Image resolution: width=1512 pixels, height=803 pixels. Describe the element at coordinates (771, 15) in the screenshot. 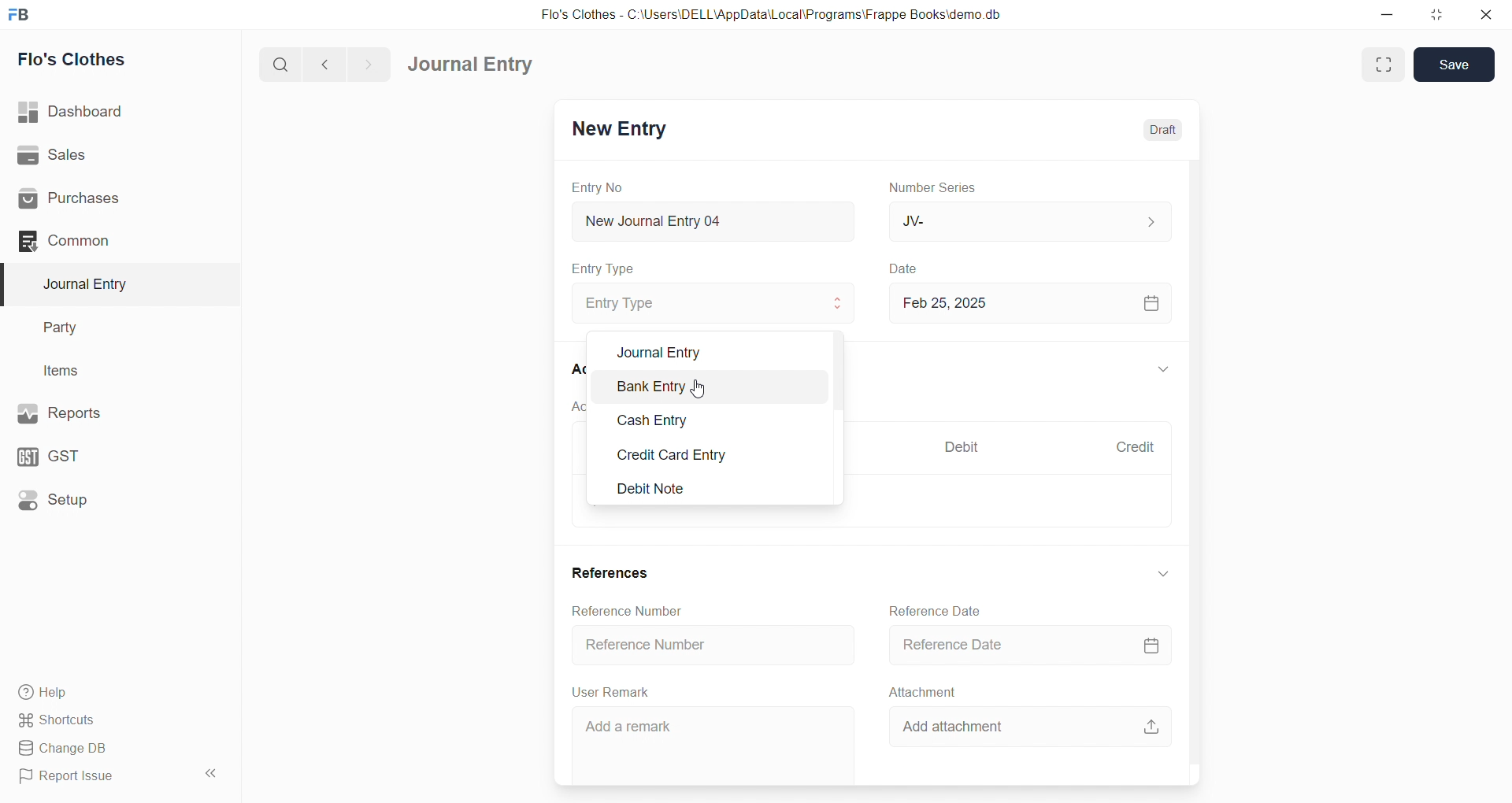

I see `Flo's Clothes - C:\Users\DELL\AppData\Local\Programs\Frappe Books\demo.db` at that location.